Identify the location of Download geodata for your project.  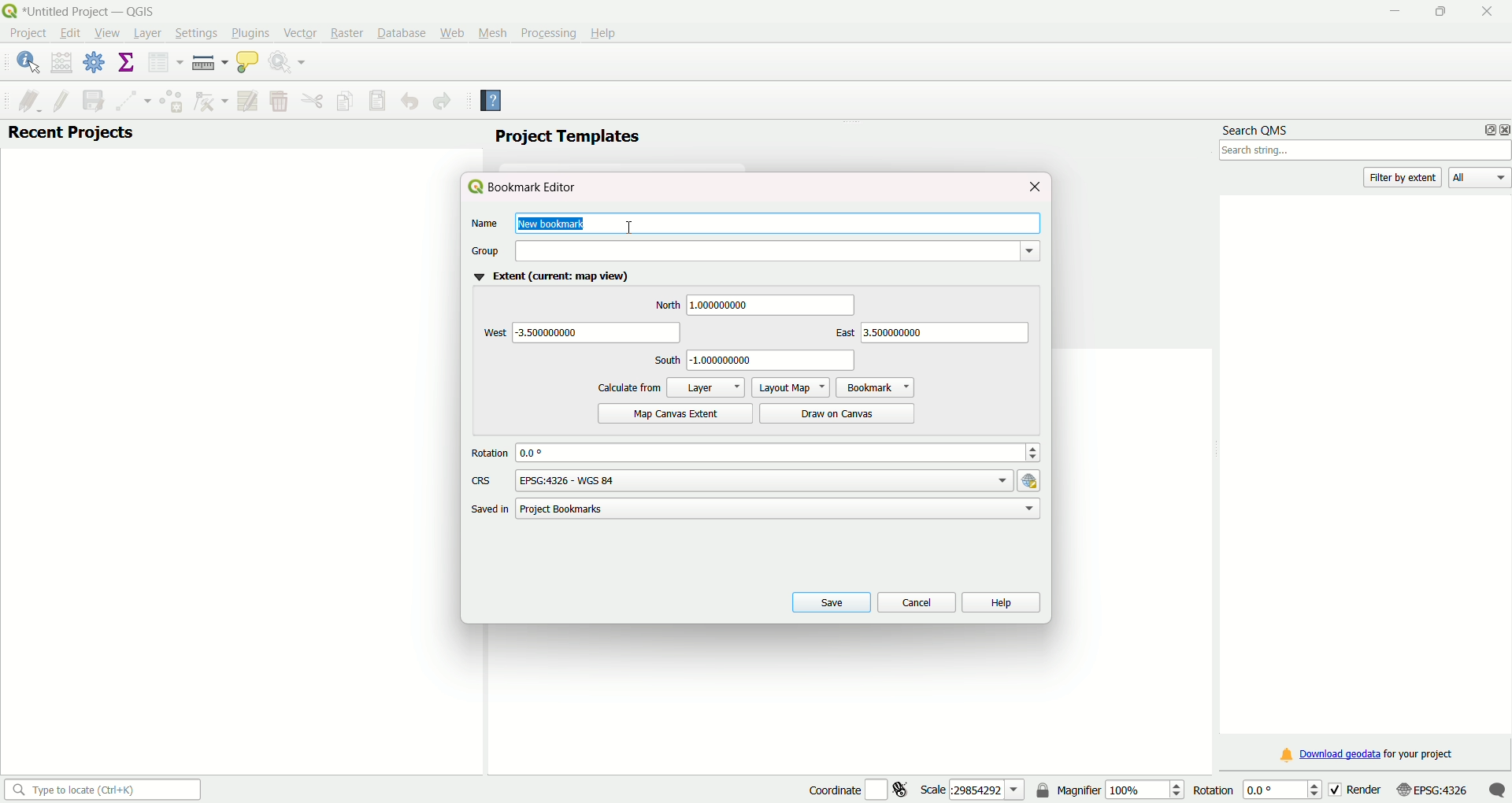
(1368, 756).